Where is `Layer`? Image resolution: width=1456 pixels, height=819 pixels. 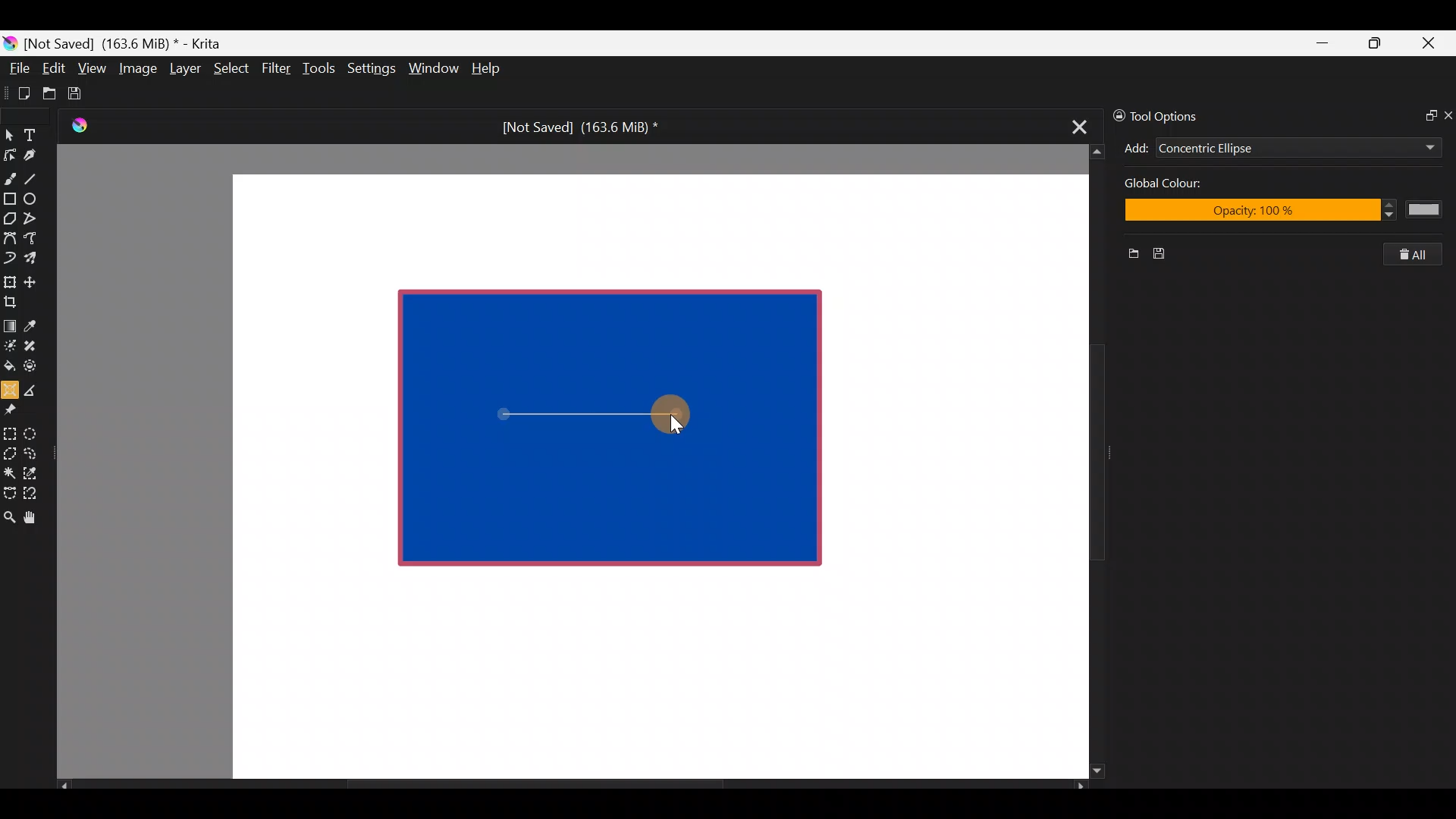 Layer is located at coordinates (184, 72).